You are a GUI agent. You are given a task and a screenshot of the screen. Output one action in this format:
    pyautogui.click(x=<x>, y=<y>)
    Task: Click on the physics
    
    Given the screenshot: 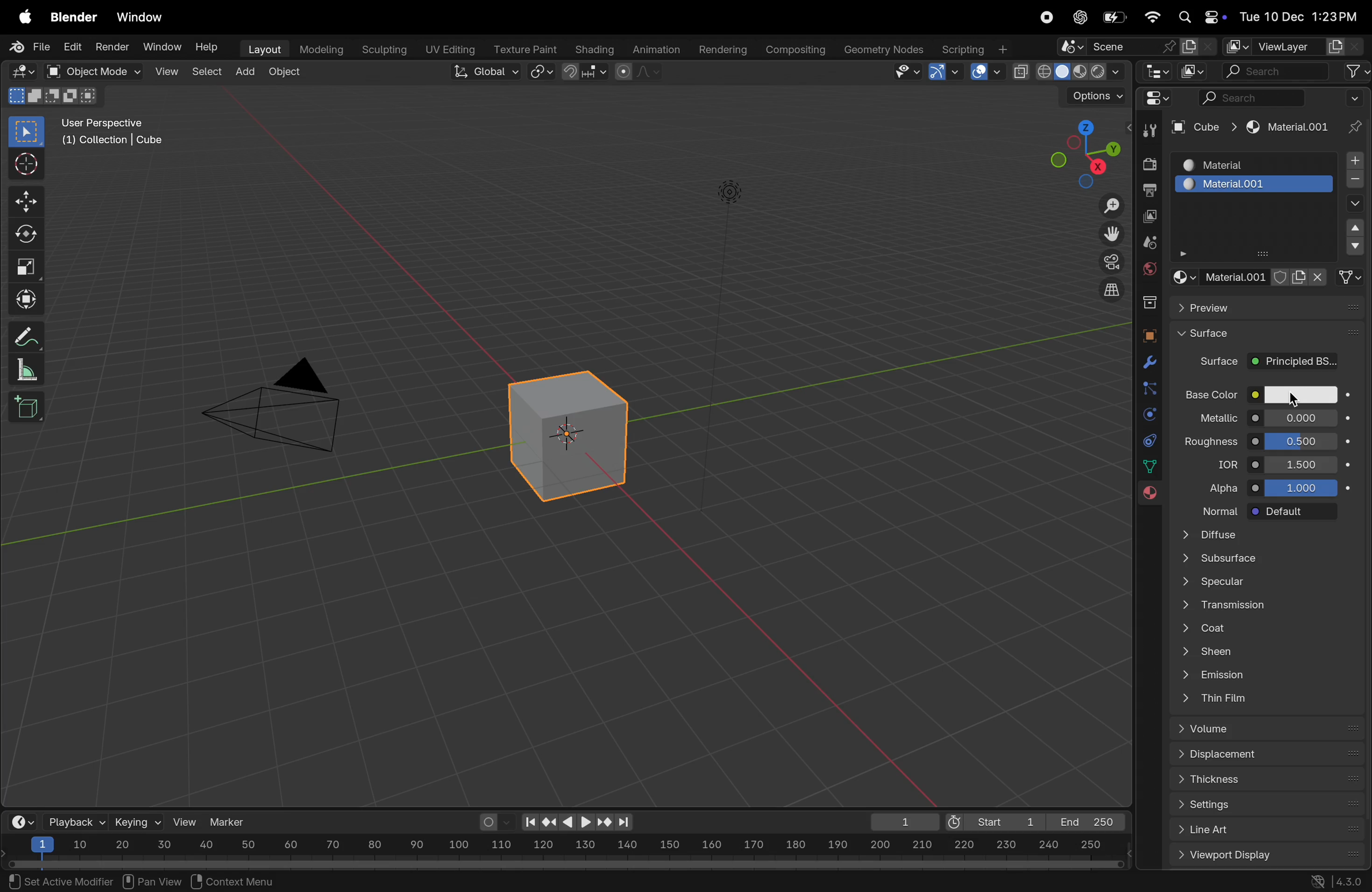 What is the action you would take?
    pyautogui.click(x=1148, y=415)
    